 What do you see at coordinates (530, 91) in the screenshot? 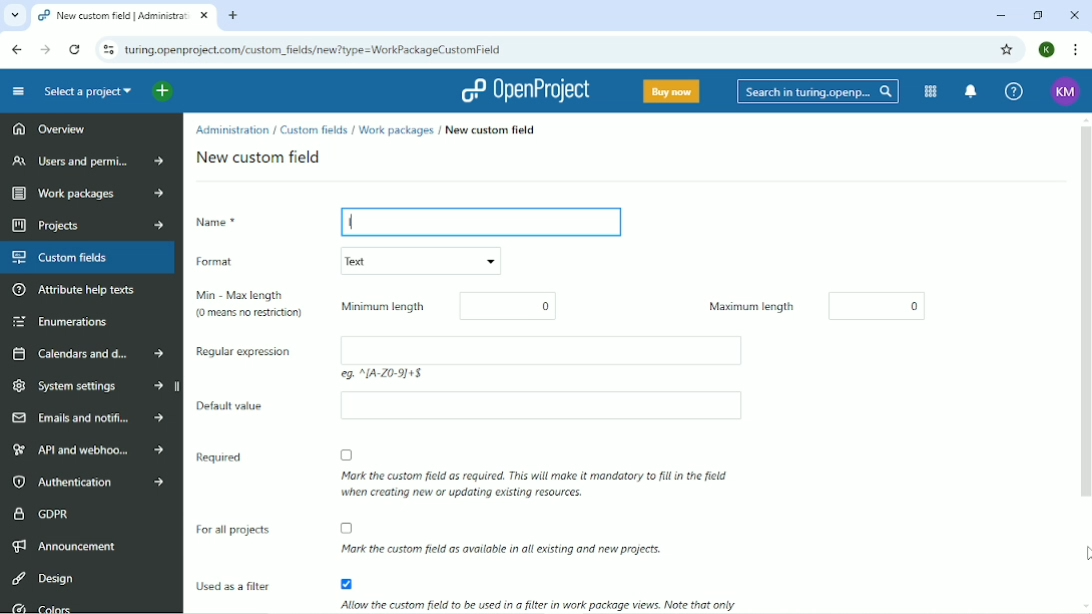
I see `OpenProject` at bounding box center [530, 91].